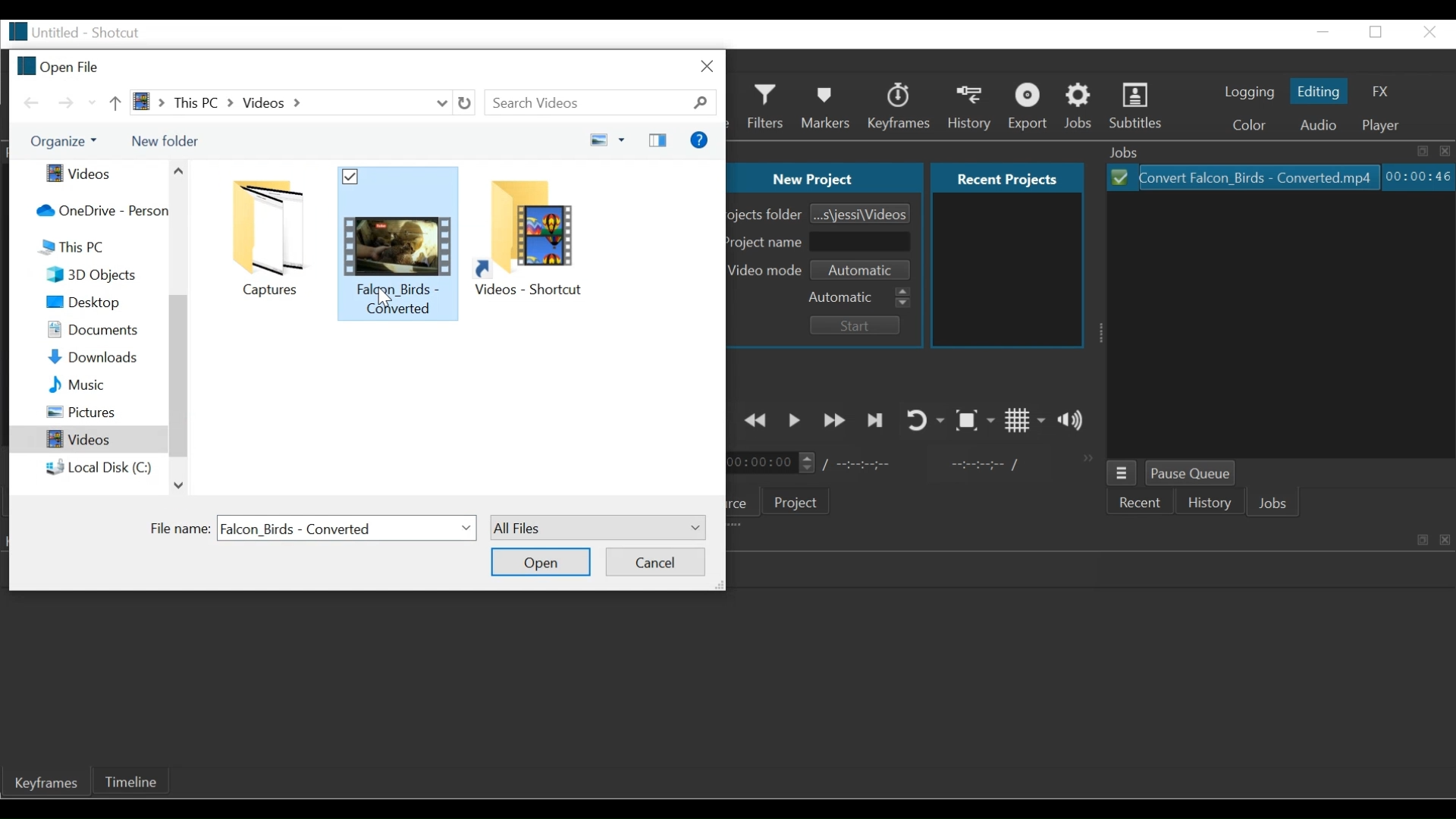 This screenshot has width=1456, height=819. I want to click on File name, so click(42, 31).